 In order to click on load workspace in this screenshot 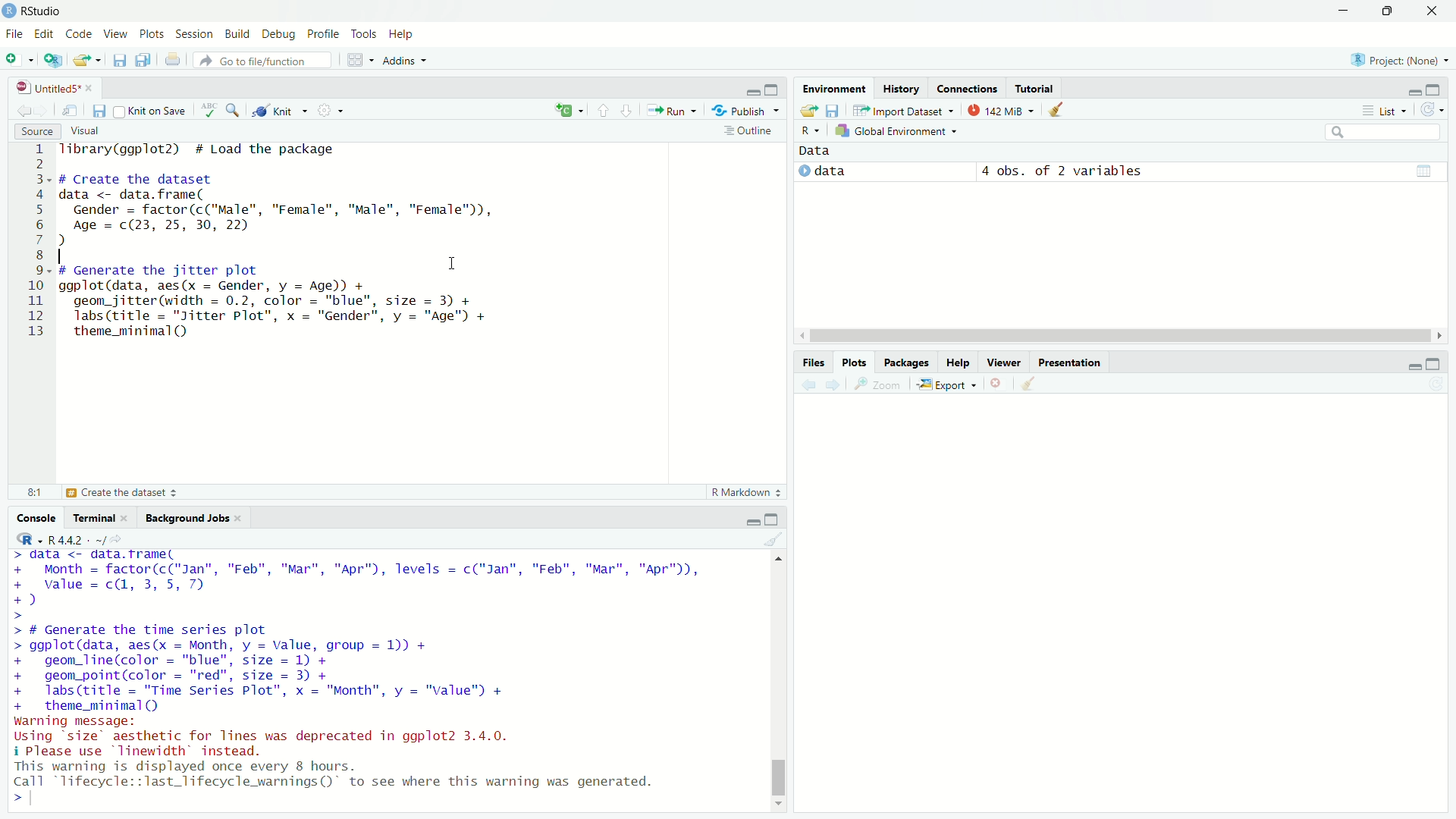, I will do `click(808, 111)`.